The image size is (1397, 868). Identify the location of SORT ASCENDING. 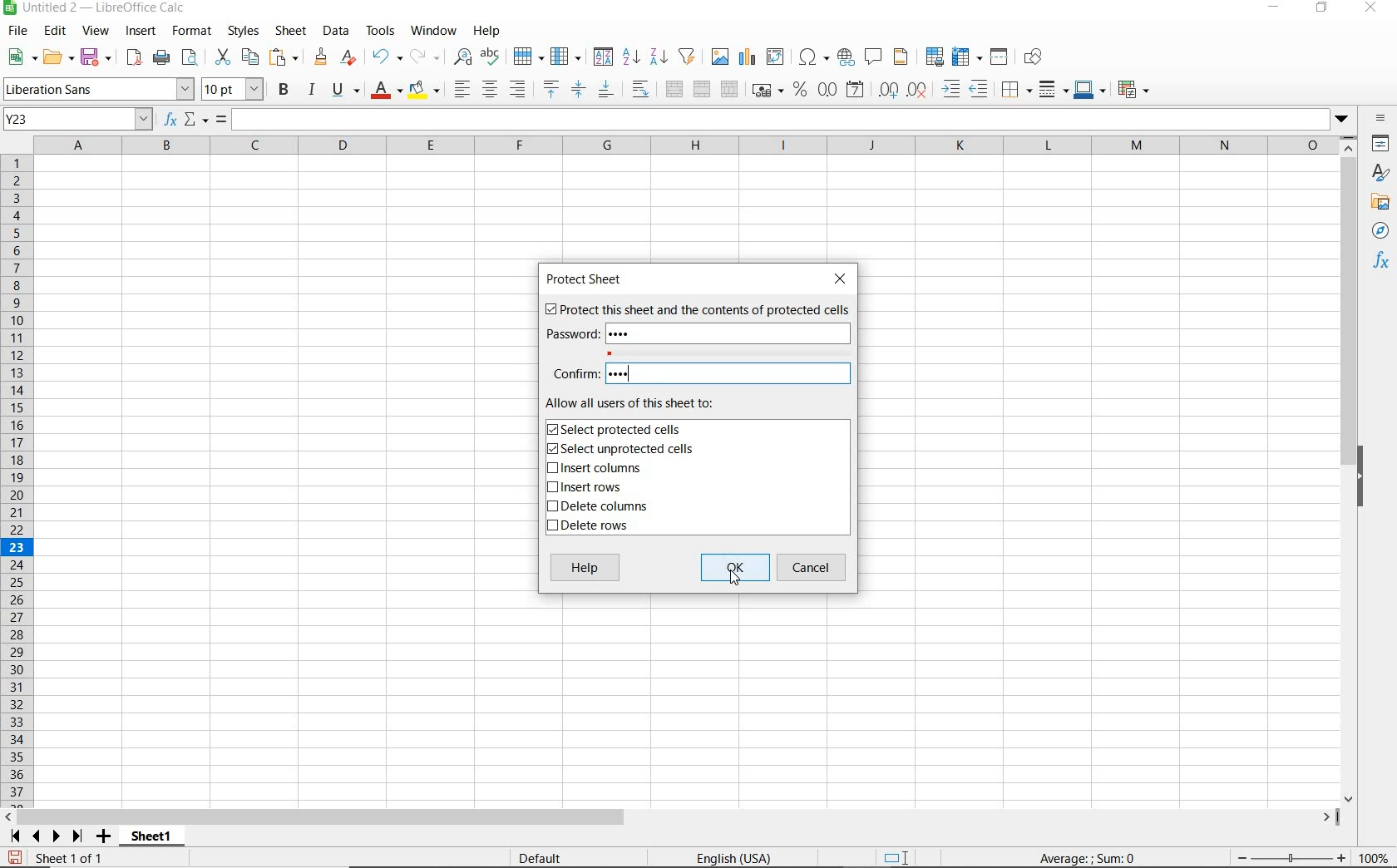
(632, 57).